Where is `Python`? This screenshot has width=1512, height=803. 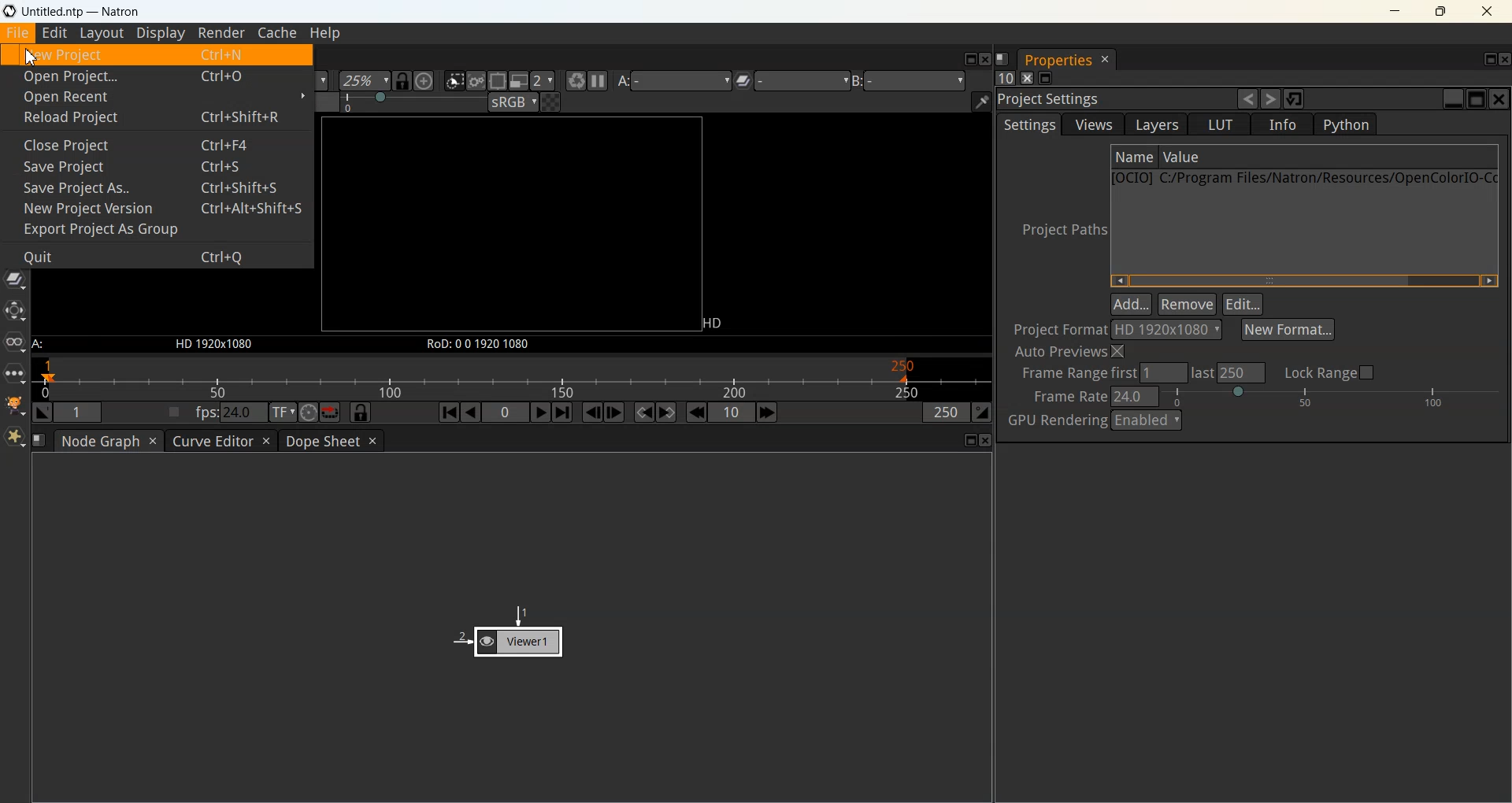
Python is located at coordinates (1344, 124).